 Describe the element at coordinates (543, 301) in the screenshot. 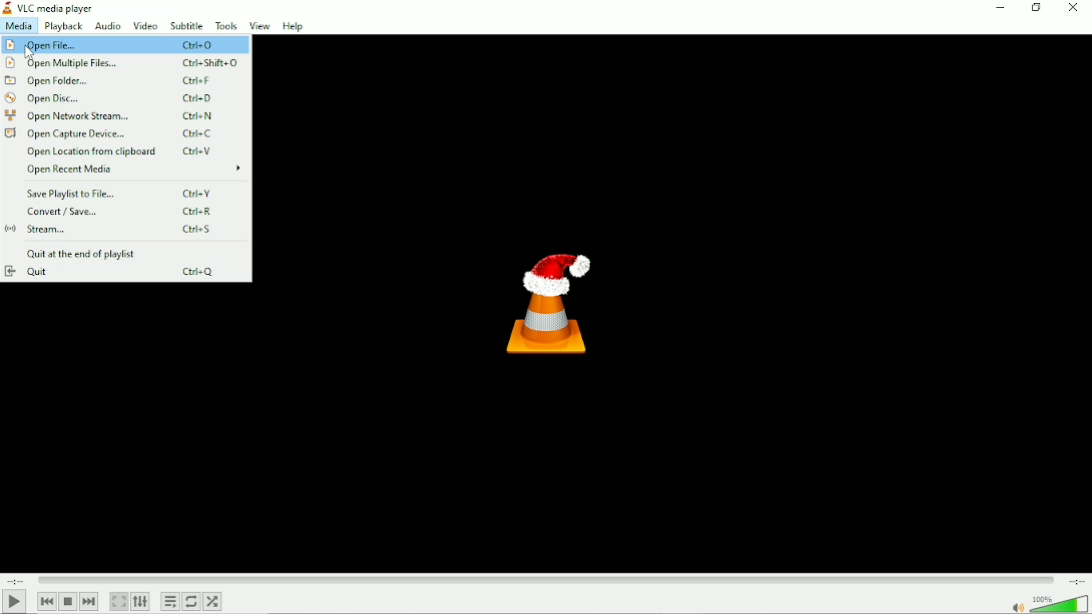

I see `Logo` at that location.